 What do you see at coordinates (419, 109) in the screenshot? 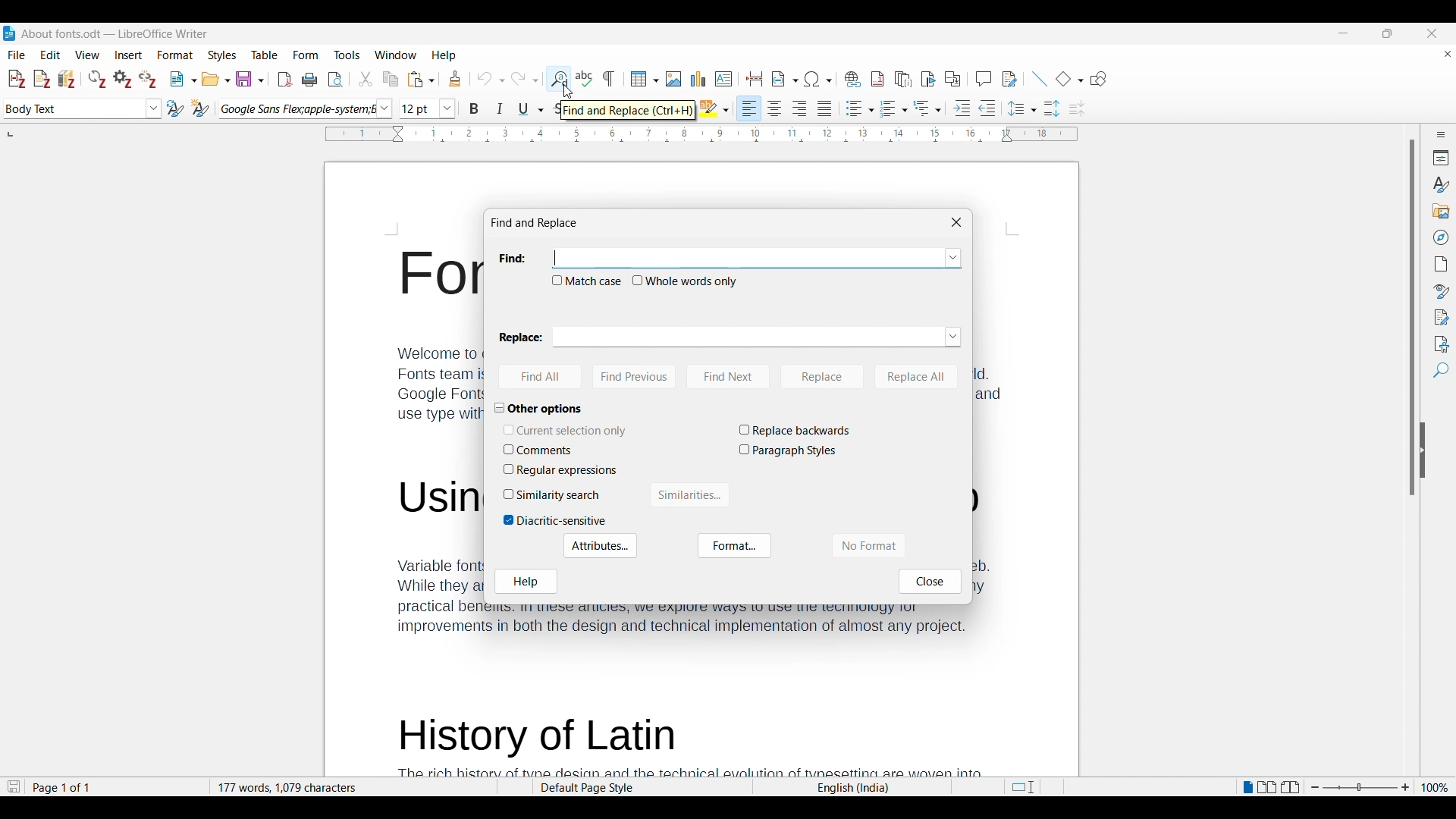
I see `Type in text size` at bounding box center [419, 109].